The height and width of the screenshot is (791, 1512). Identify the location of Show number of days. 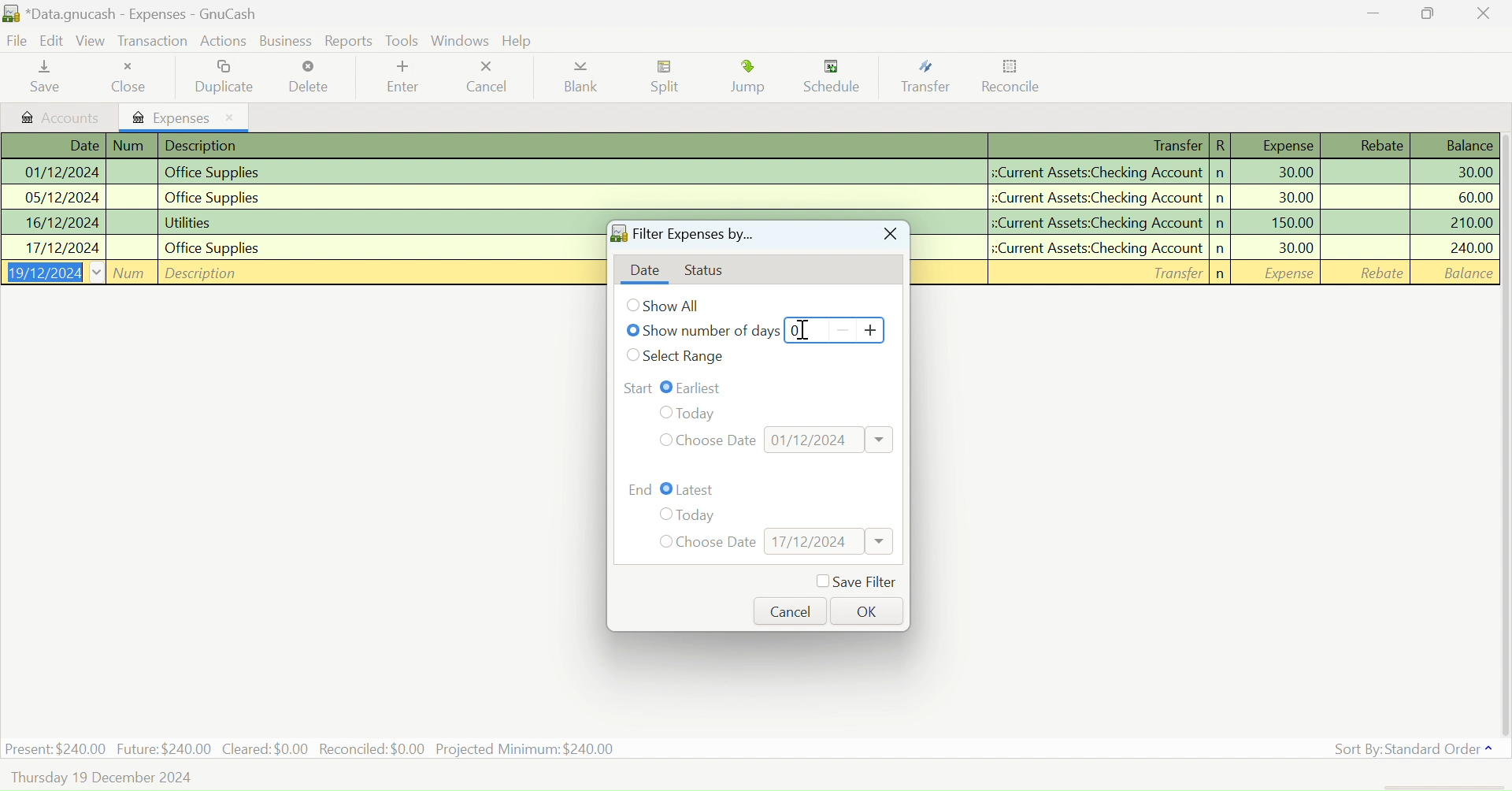
(713, 332).